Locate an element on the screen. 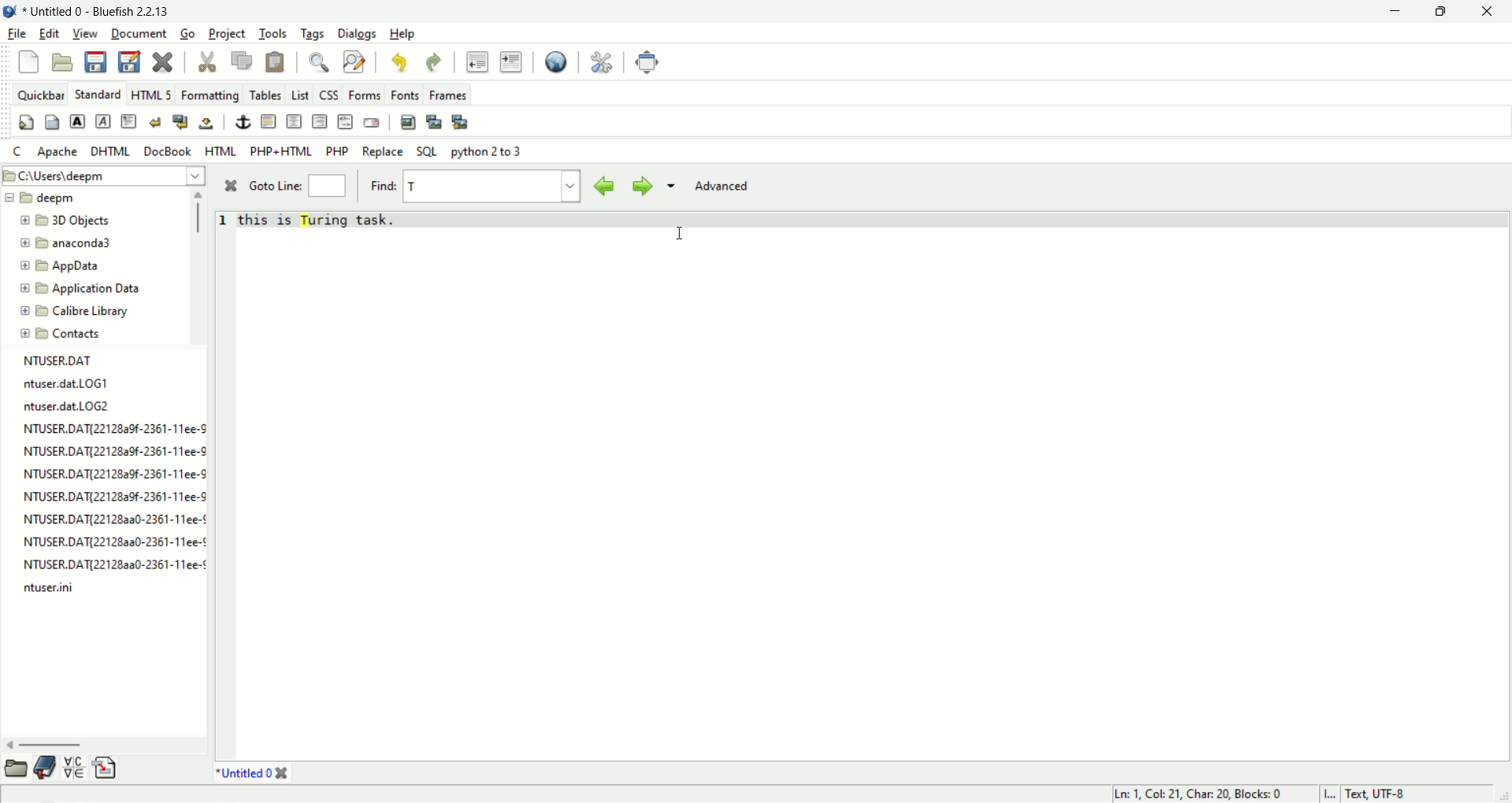 The image size is (1512, 803). copy is located at coordinates (242, 61).